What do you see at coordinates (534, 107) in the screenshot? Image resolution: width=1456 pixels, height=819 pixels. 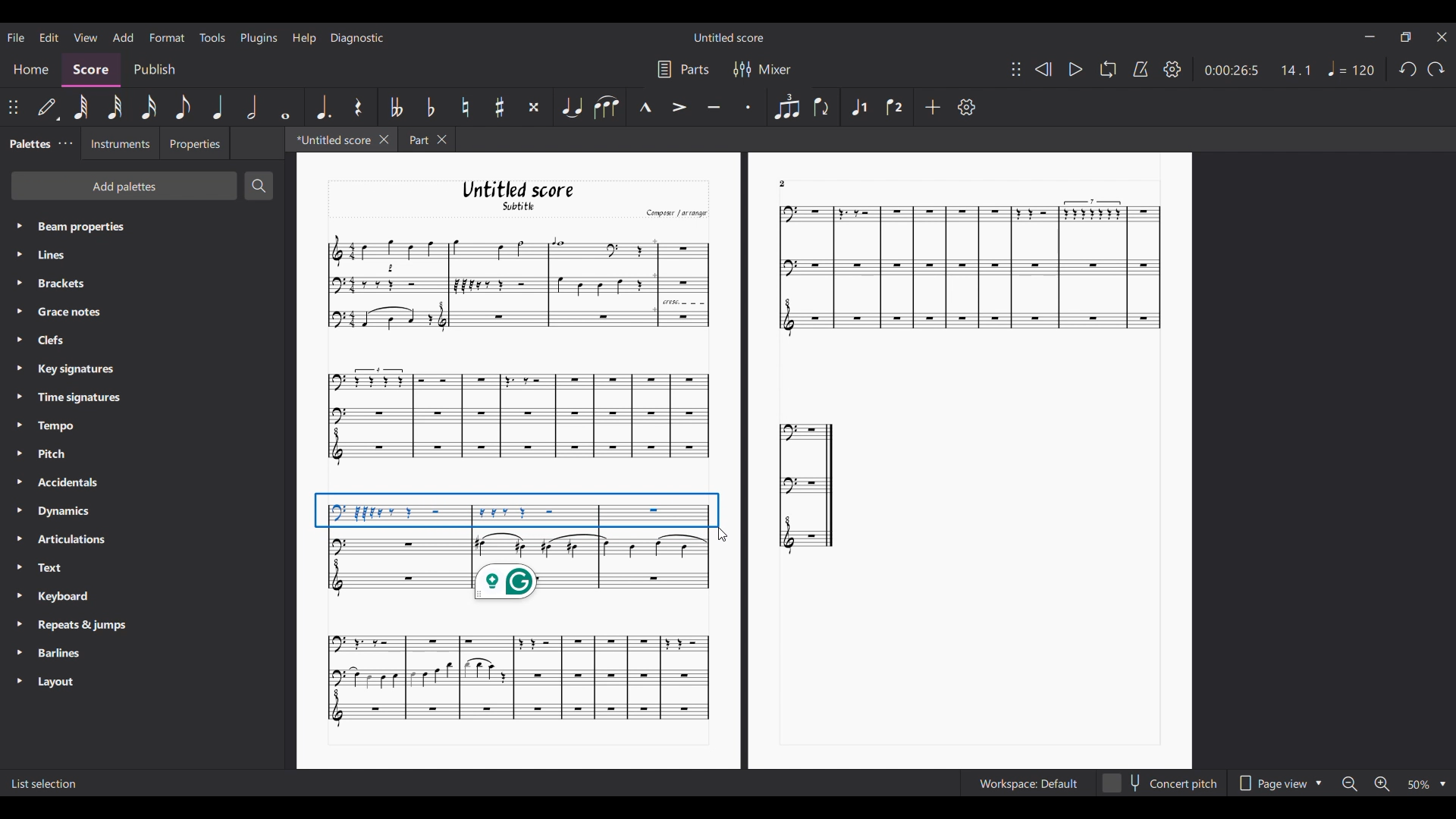 I see `Toggle double sharp` at bounding box center [534, 107].